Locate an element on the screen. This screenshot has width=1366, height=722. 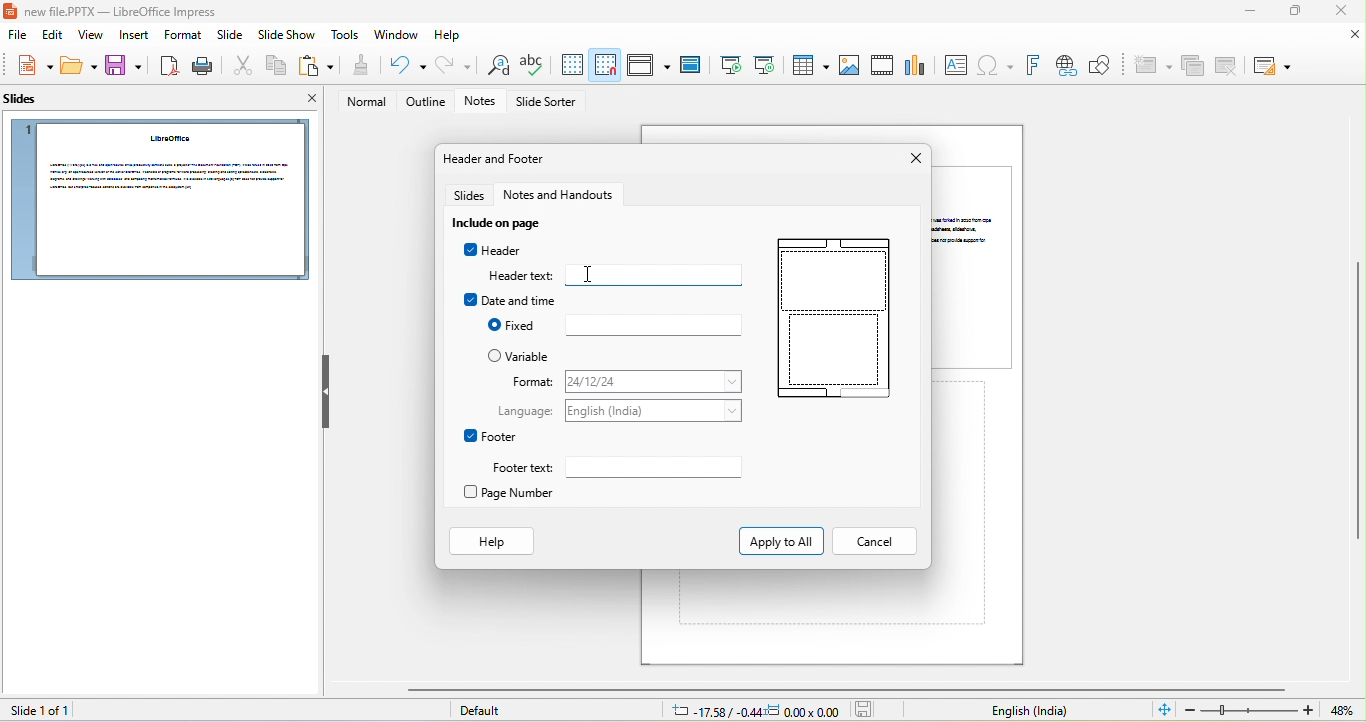
redo is located at coordinates (454, 65).